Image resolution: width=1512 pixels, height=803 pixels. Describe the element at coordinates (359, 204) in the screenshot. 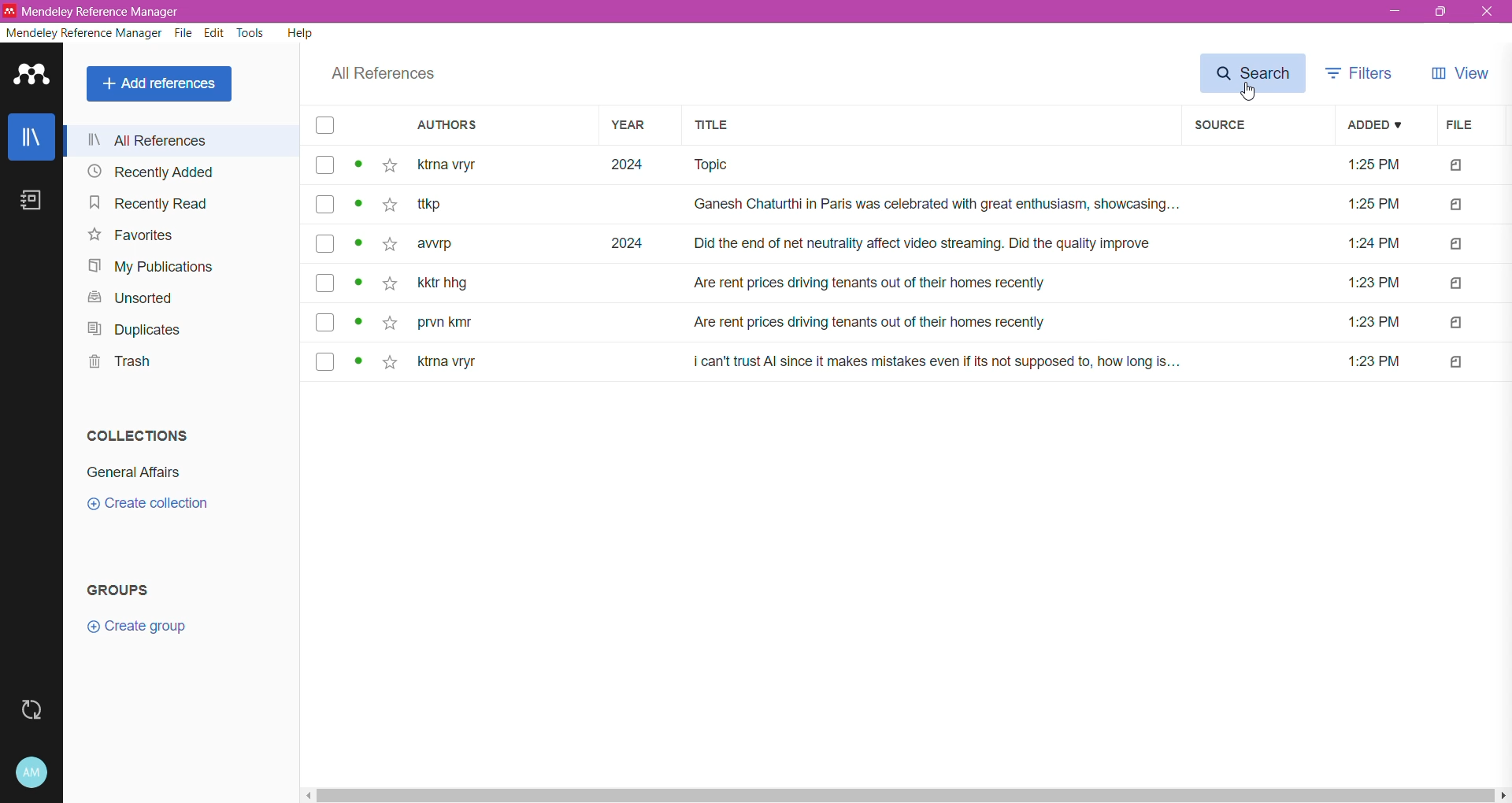

I see `view status of the file` at that location.